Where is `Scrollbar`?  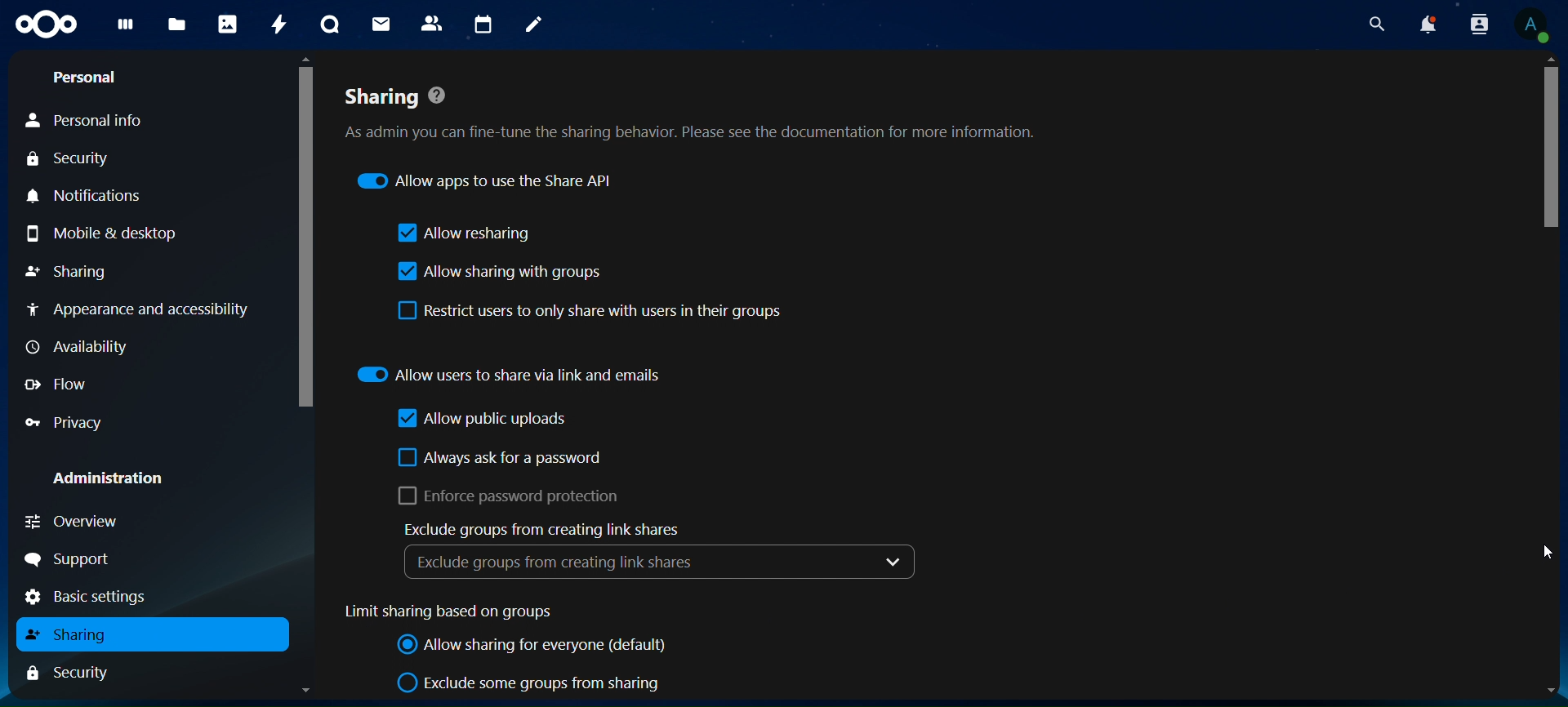 Scrollbar is located at coordinates (301, 378).